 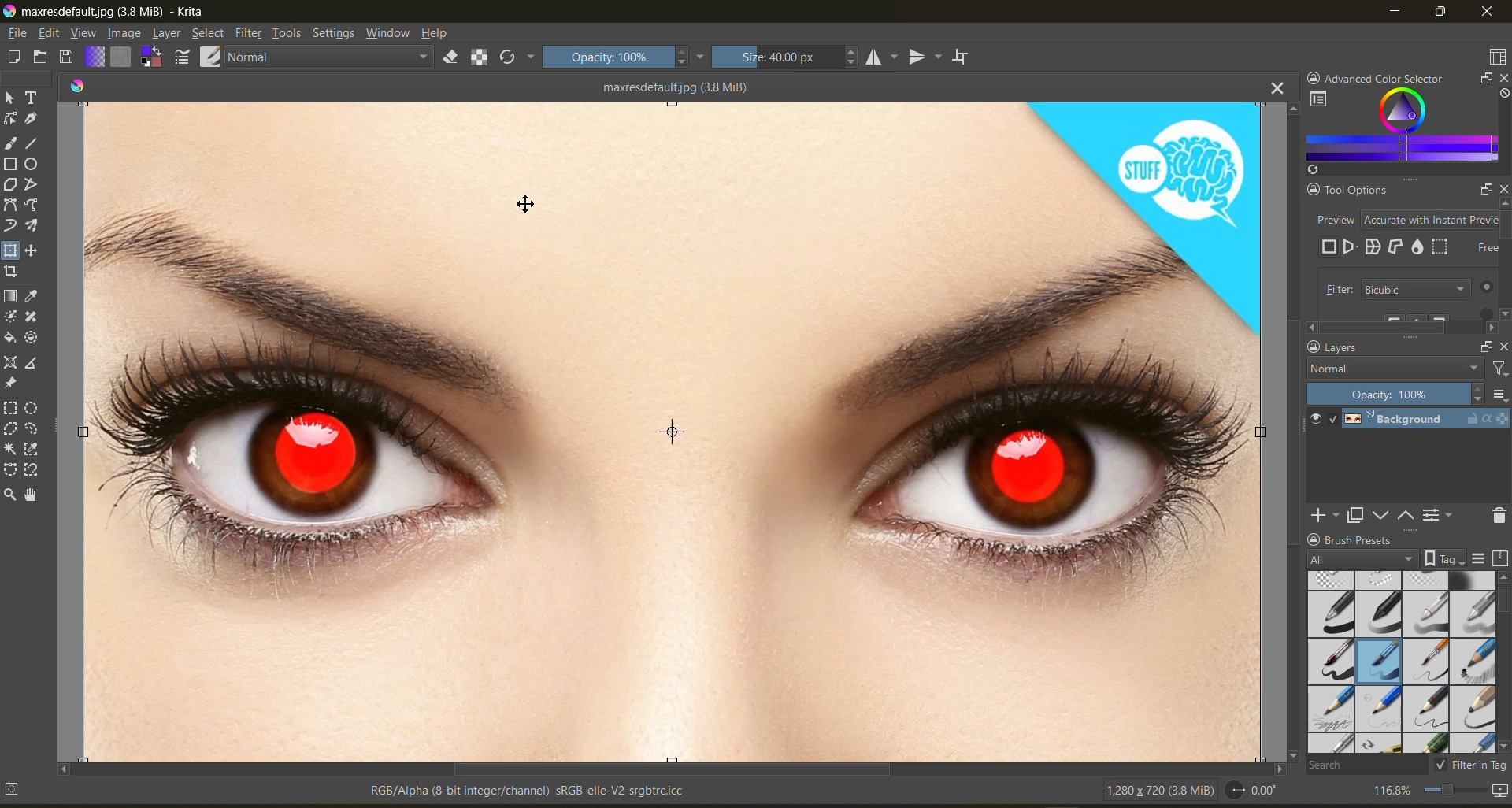 What do you see at coordinates (41, 58) in the screenshot?
I see `open` at bounding box center [41, 58].